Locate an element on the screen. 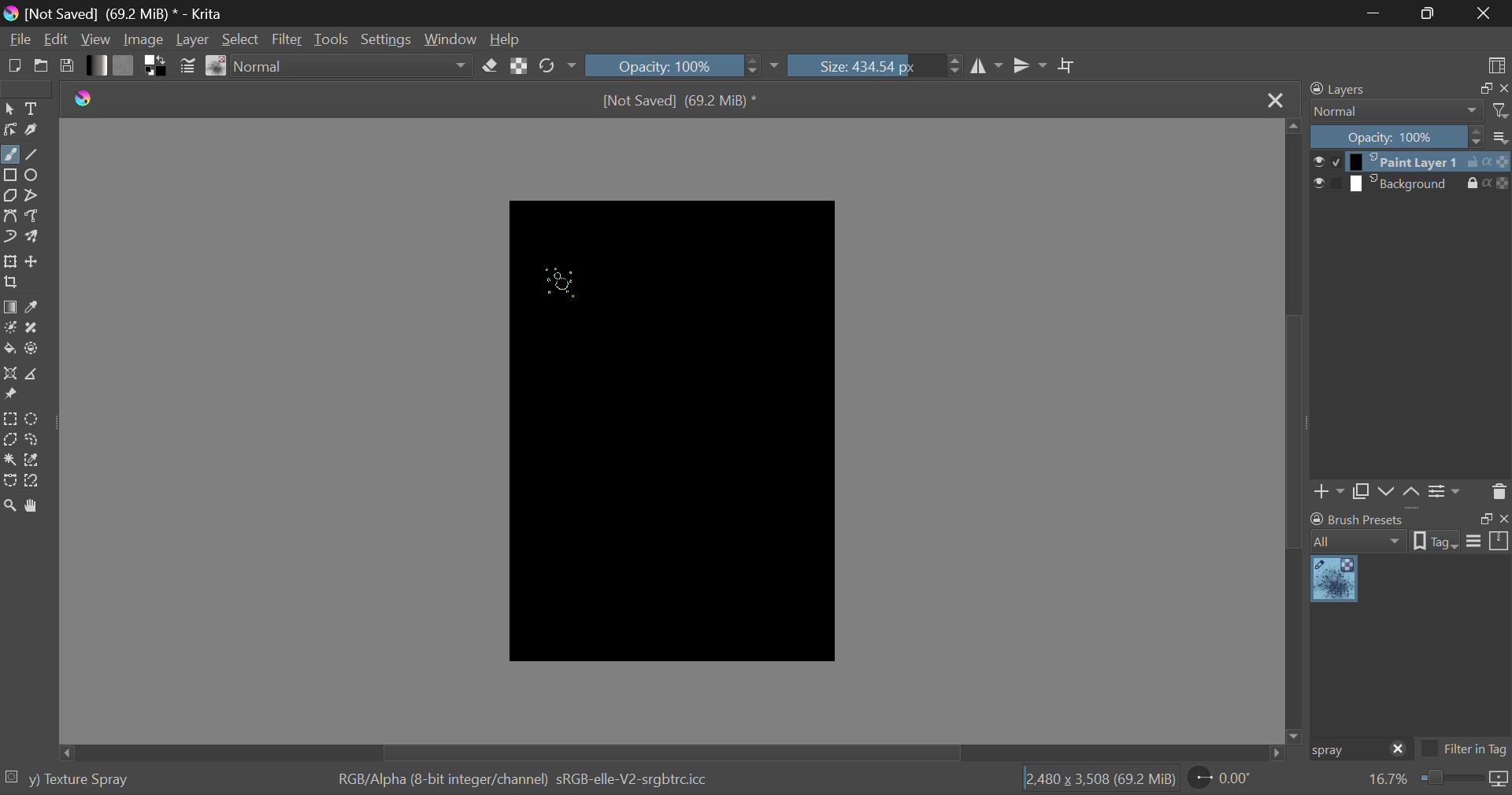 Image resolution: width=1512 pixels, height=795 pixels. Multibrush is located at coordinates (32, 235).